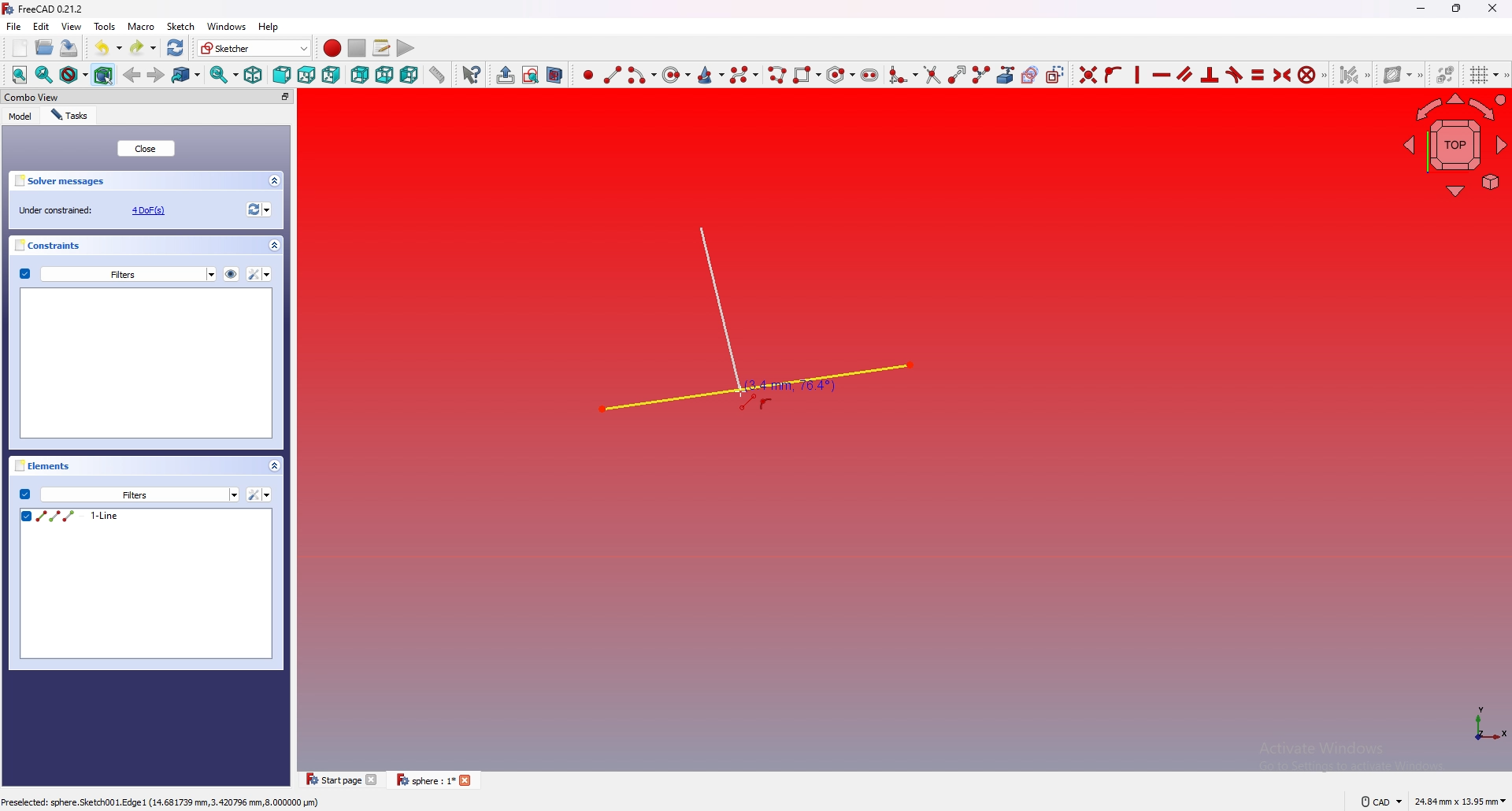 This screenshot has height=811, width=1512. What do you see at coordinates (187, 75) in the screenshot?
I see `Go to linked object` at bounding box center [187, 75].